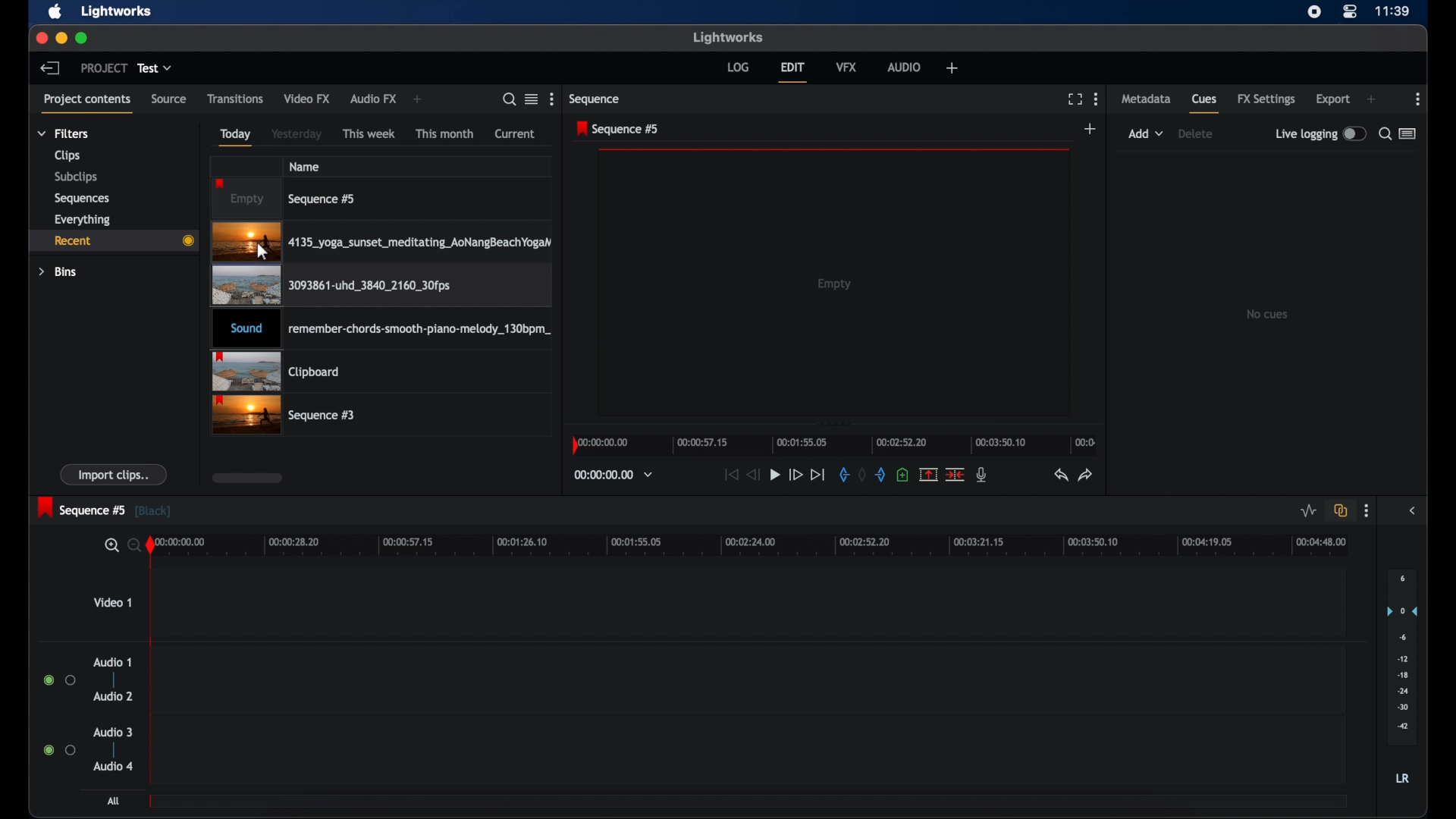  Describe the element at coordinates (902, 474) in the screenshot. I see `add cue at current position` at that location.